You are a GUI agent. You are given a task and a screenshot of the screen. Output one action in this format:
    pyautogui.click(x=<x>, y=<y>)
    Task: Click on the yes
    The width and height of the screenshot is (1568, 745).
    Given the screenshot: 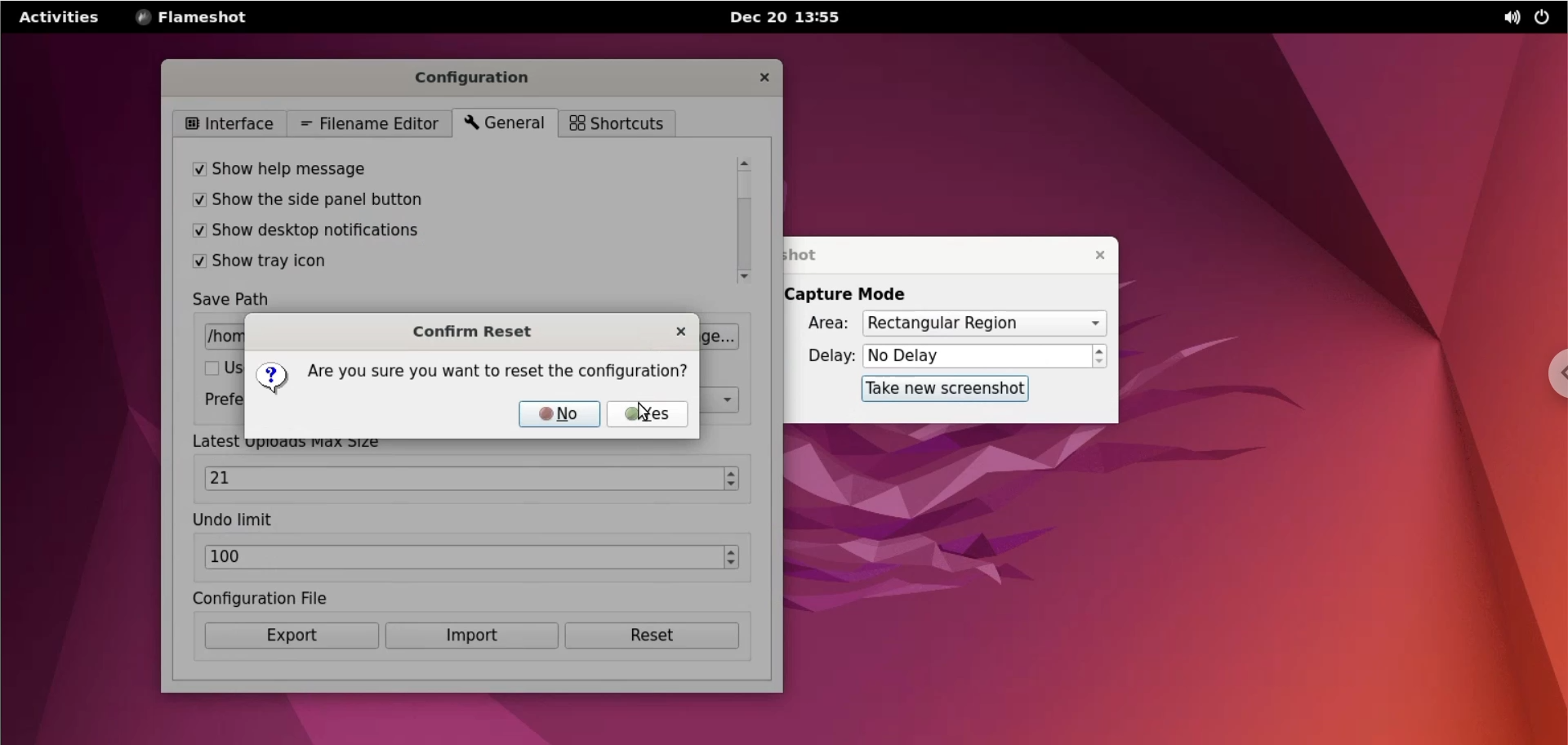 What is the action you would take?
    pyautogui.click(x=649, y=413)
    